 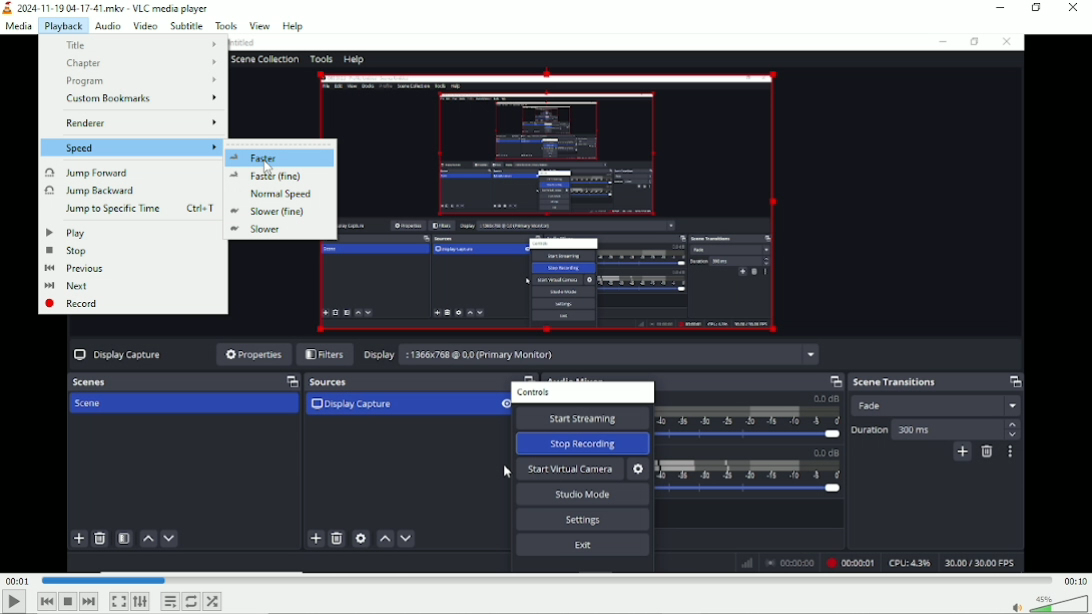 I want to click on Program, so click(x=136, y=80).